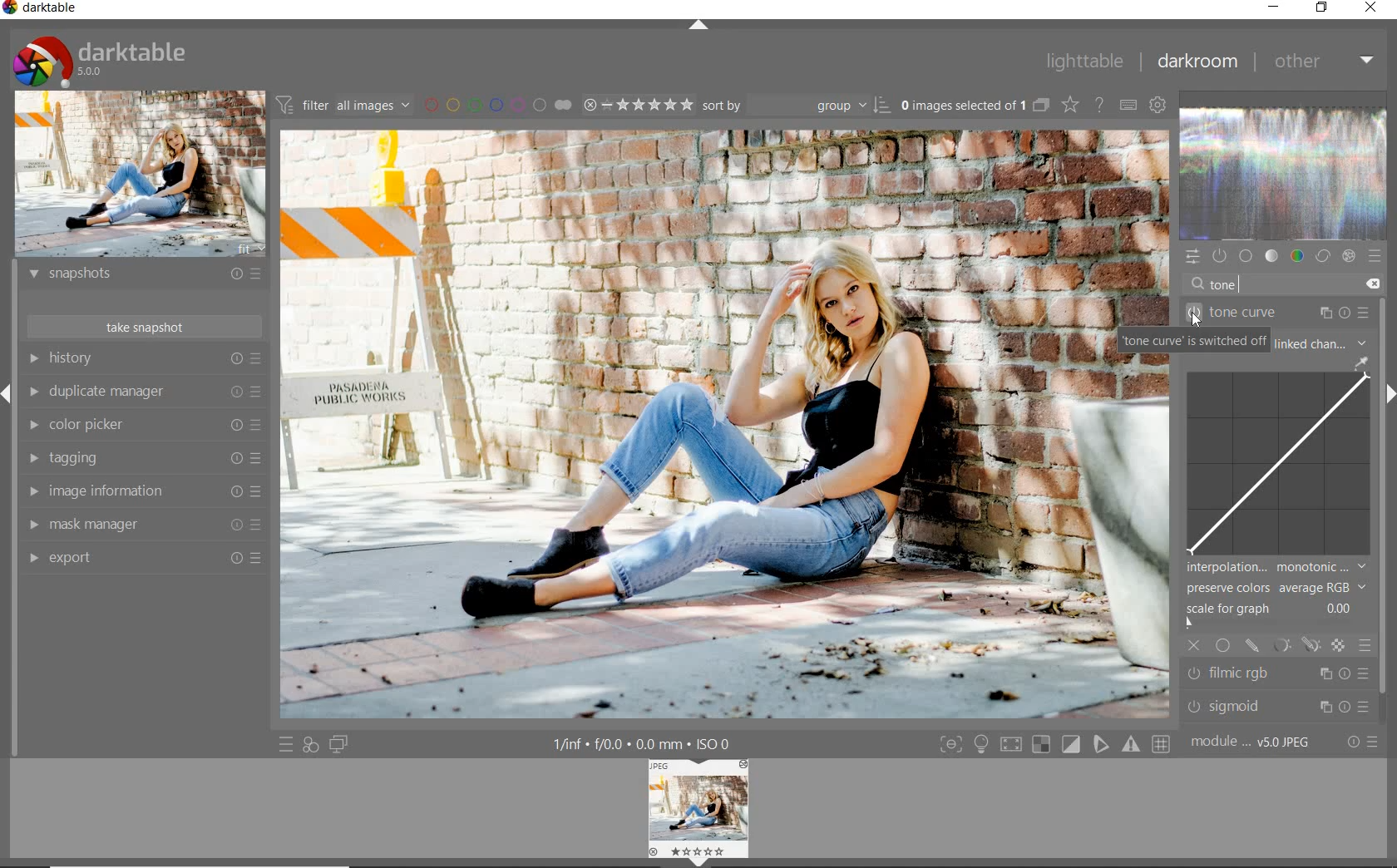 The image size is (1397, 868). What do you see at coordinates (797, 108) in the screenshot?
I see `sort` at bounding box center [797, 108].